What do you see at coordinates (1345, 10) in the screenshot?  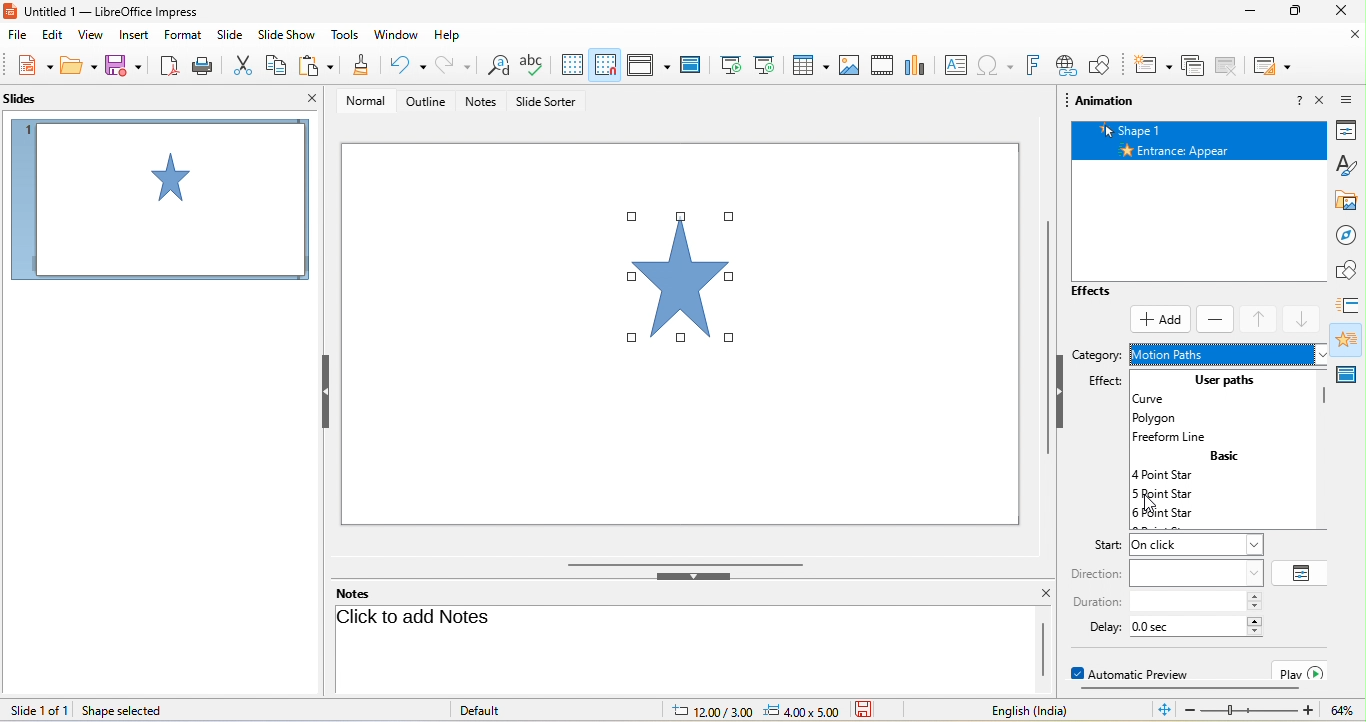 I see `close` at bounding box center [1345, 10].